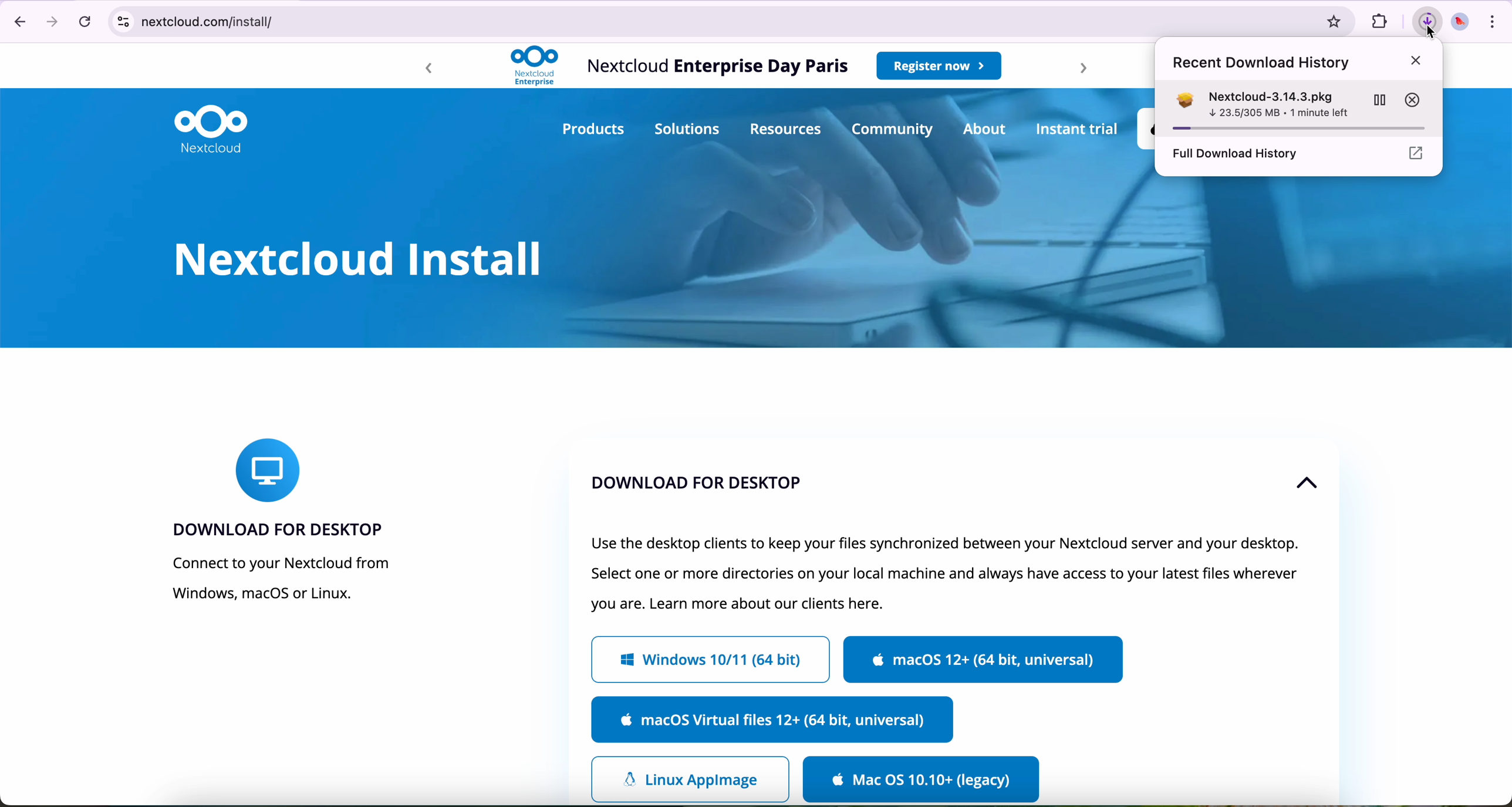  I want to click on Nextcloud logo, so click(212, 127).